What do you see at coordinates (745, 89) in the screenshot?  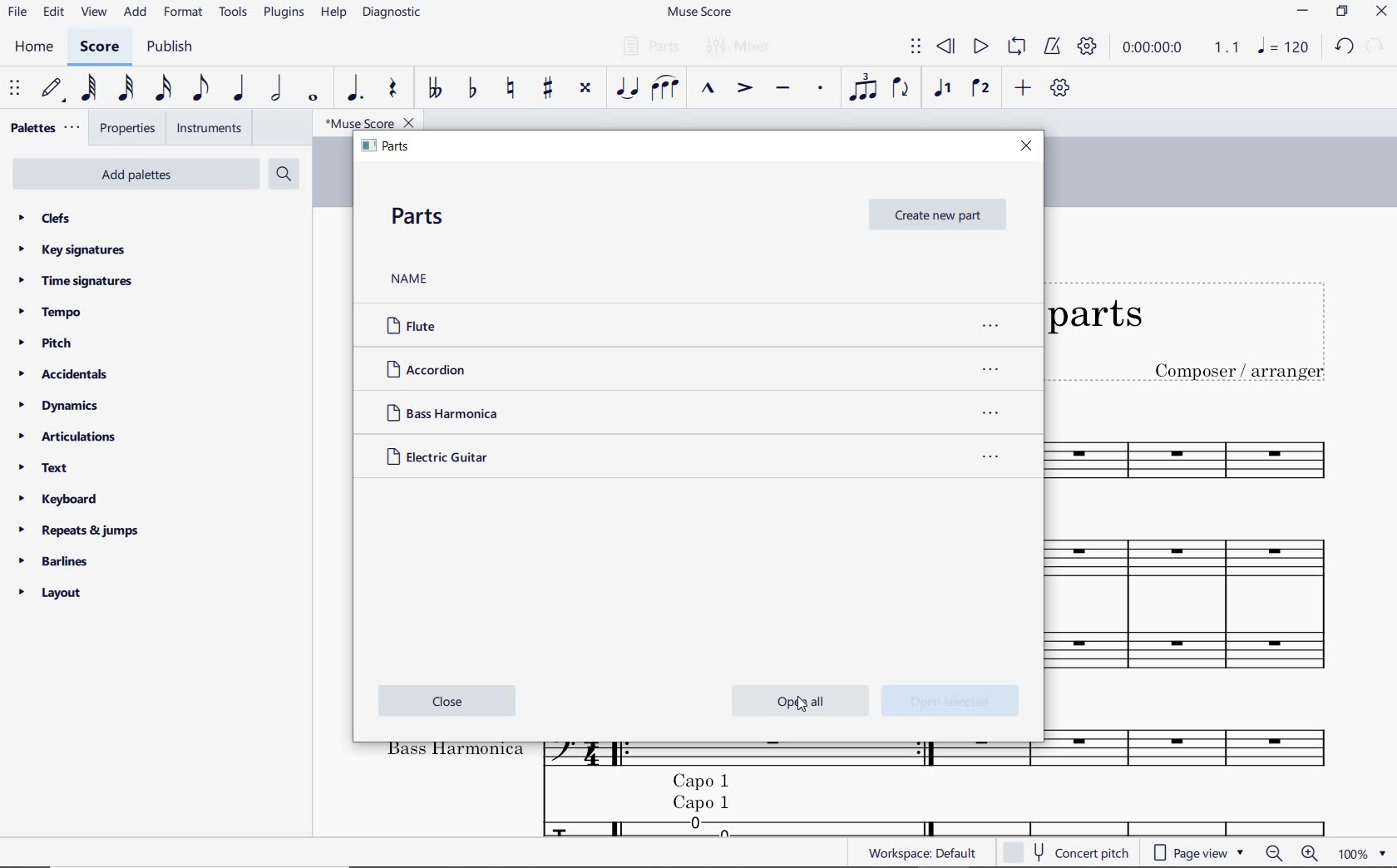 I see `accent` at bounding box center [745, 89].